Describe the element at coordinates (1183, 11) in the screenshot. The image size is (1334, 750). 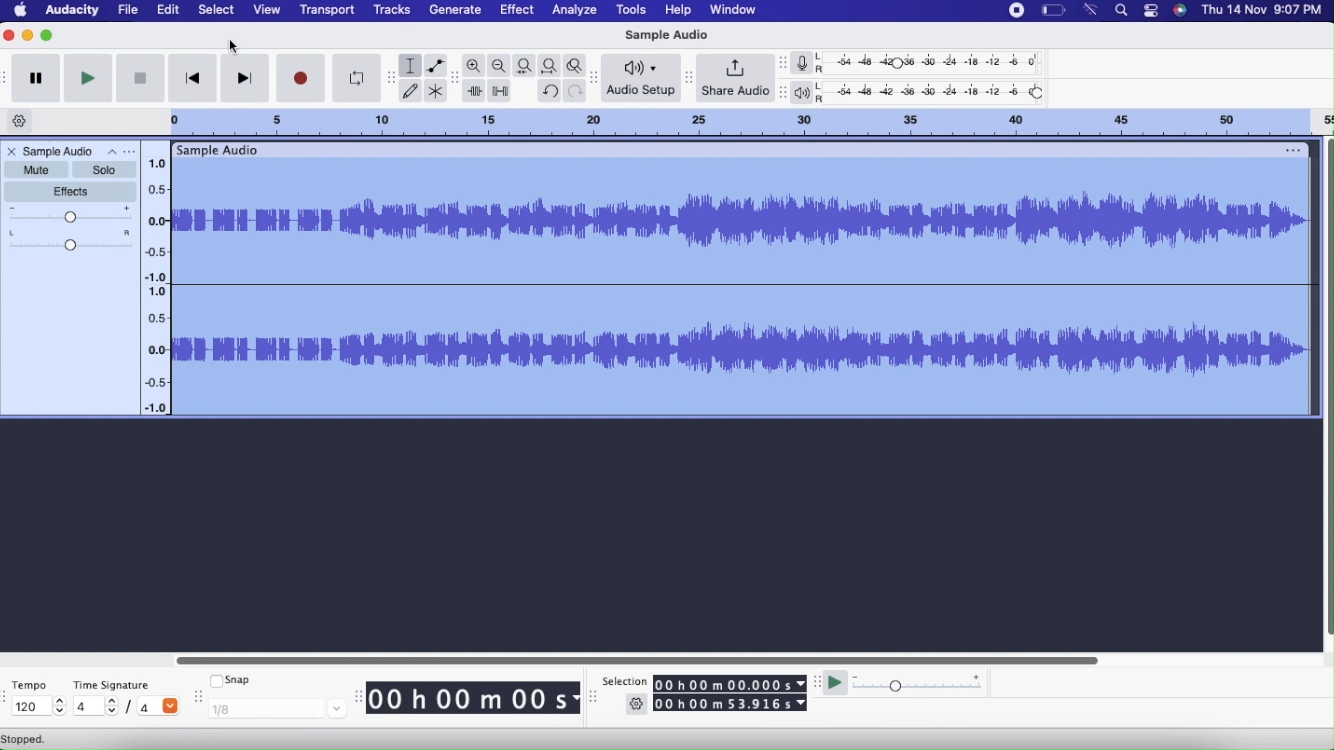
I see `Siri` at that location.